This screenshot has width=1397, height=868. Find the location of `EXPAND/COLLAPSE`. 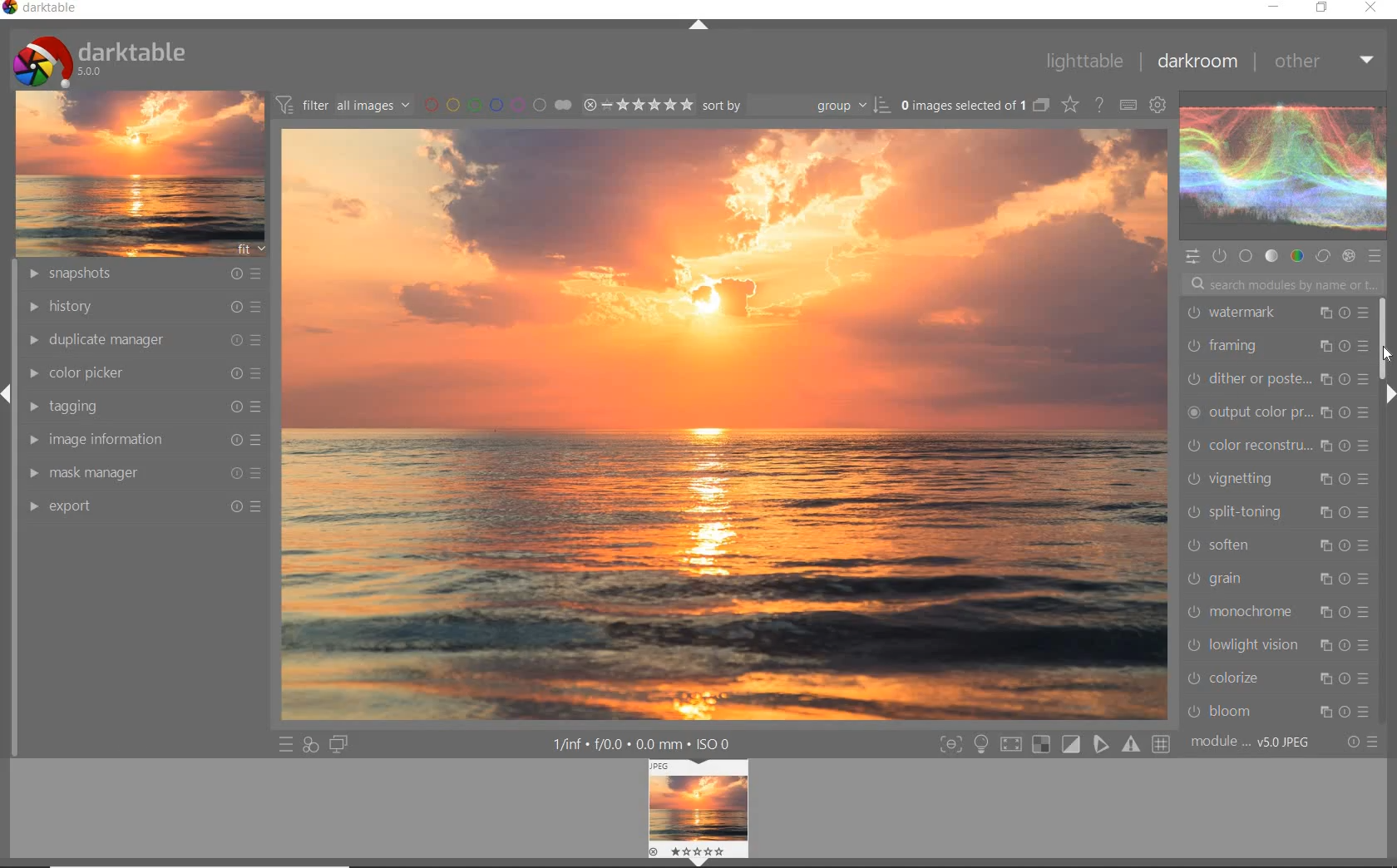

EXPAND/COLLAPSE is located at coordinates (1387, 396).